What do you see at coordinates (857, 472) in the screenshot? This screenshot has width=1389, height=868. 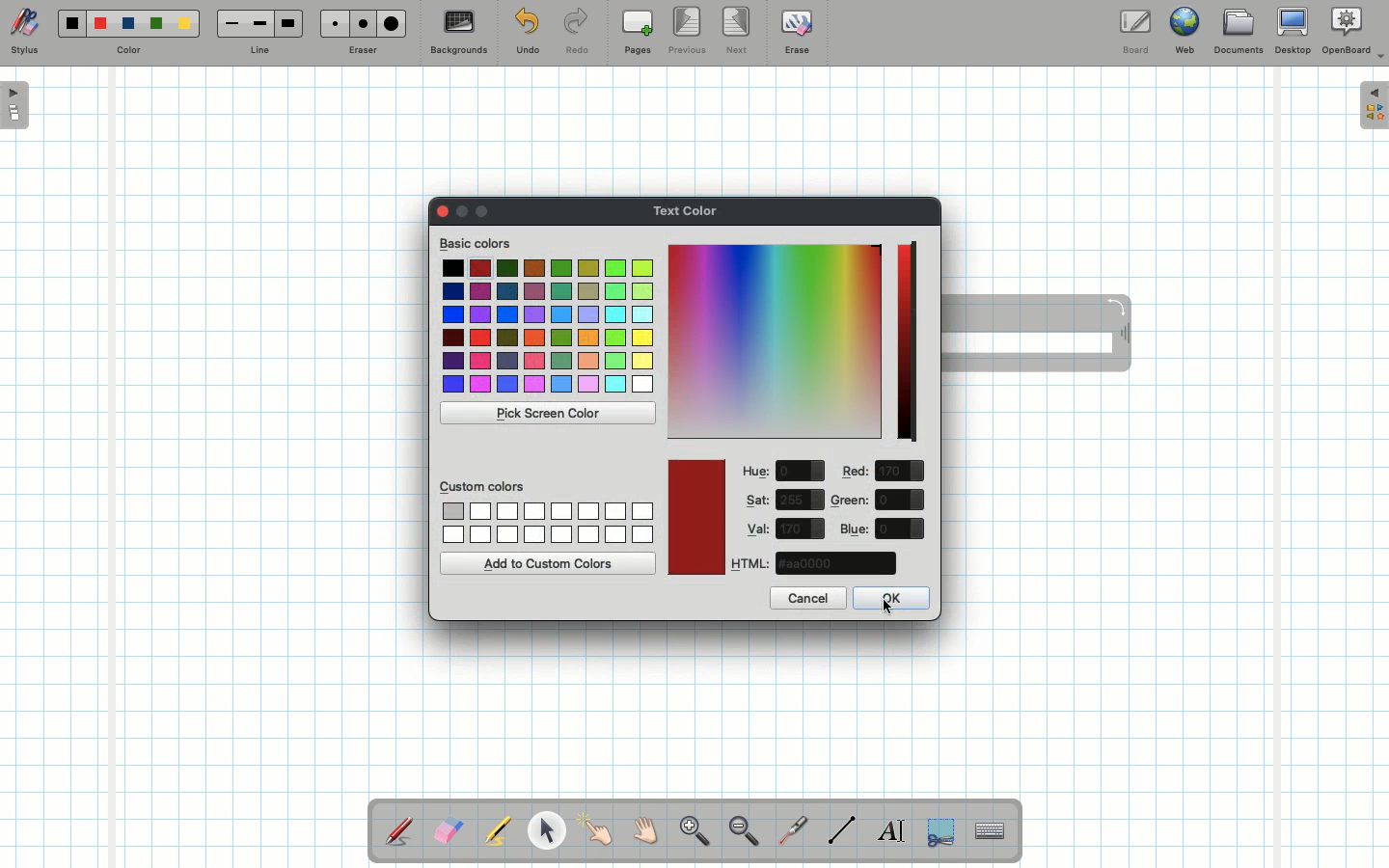 I see `Red` at bounding box center [857, 472].